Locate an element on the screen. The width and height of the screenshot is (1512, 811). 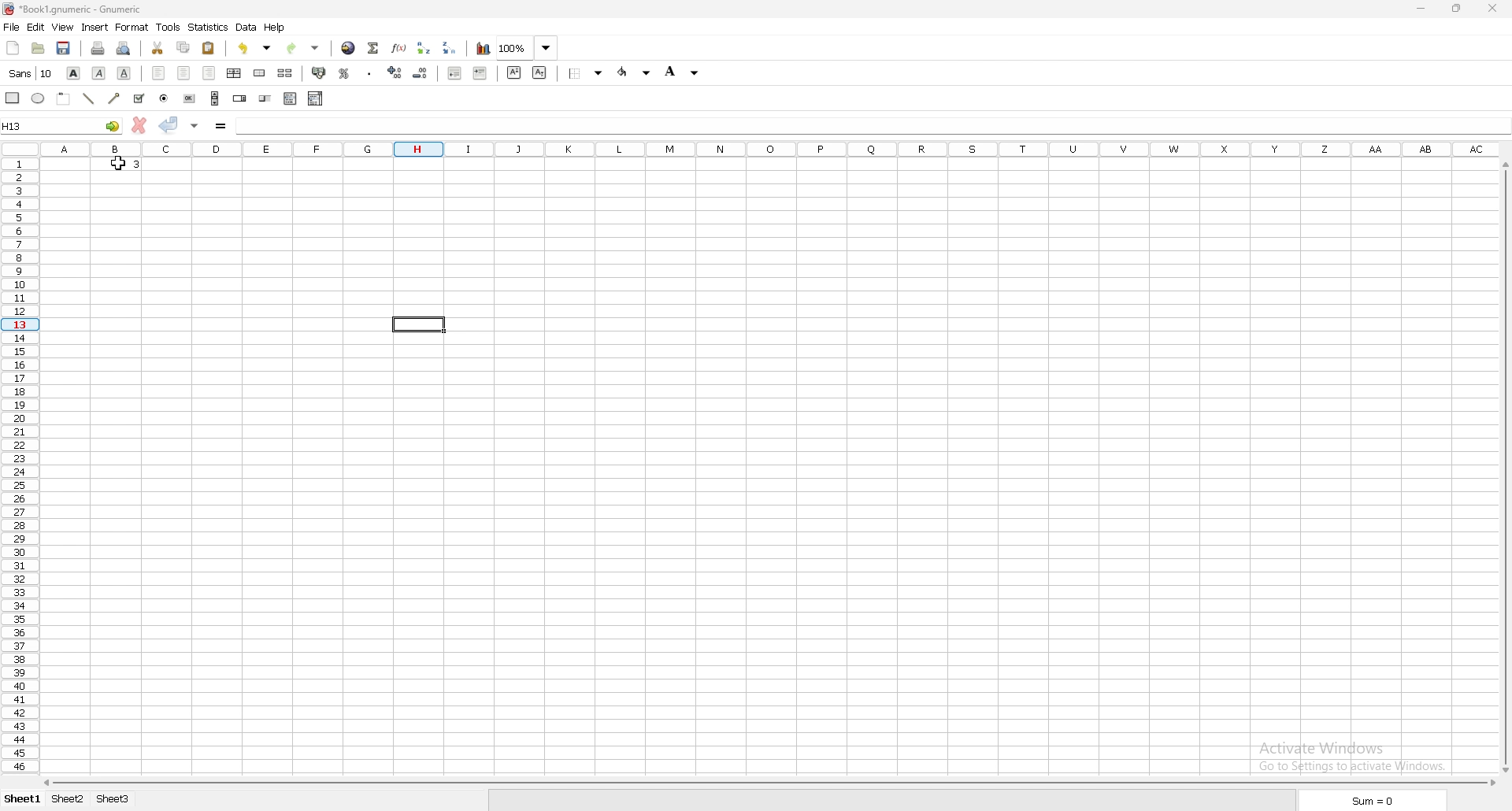
print is located at coordinates (98, 48).